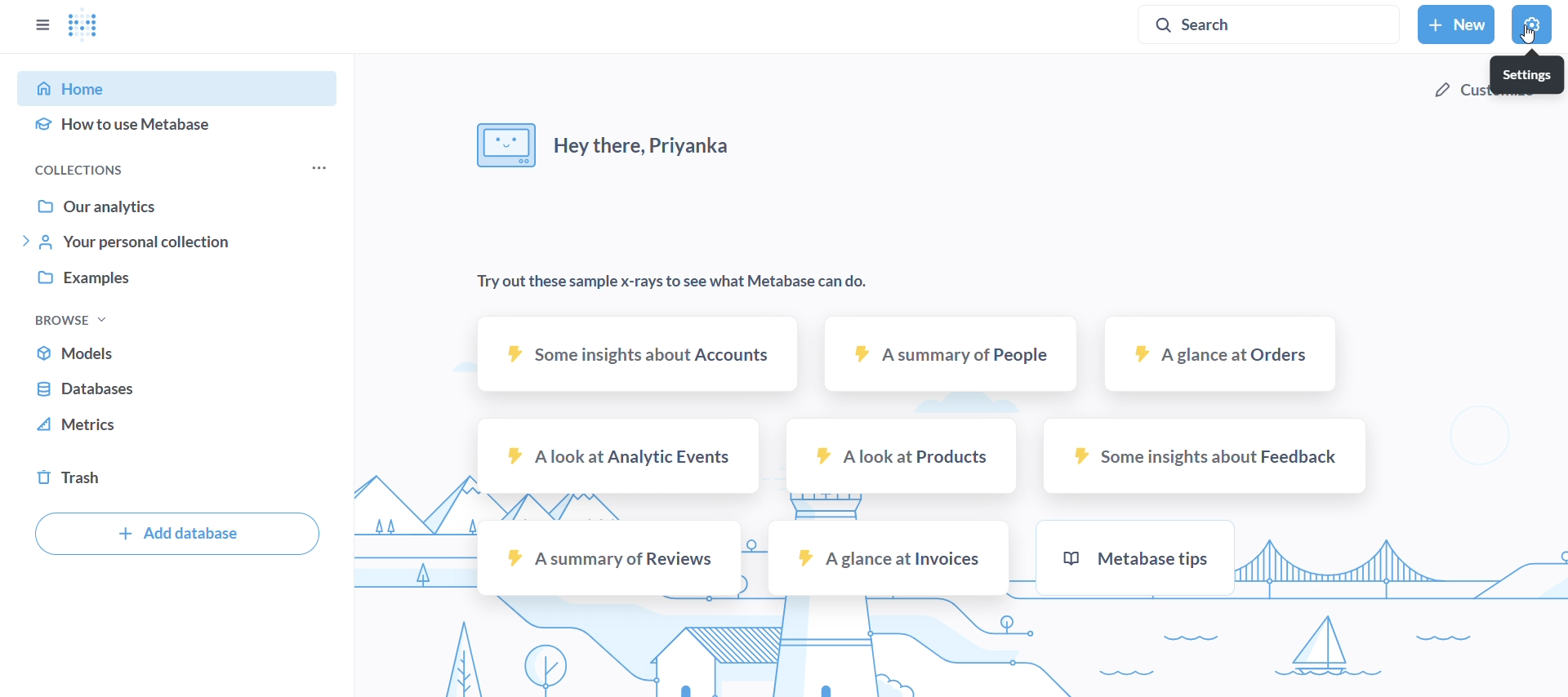  What do you see at coordinates (183, 87) in the screenshot?
I see `home ` at bounding box center [183, 87].